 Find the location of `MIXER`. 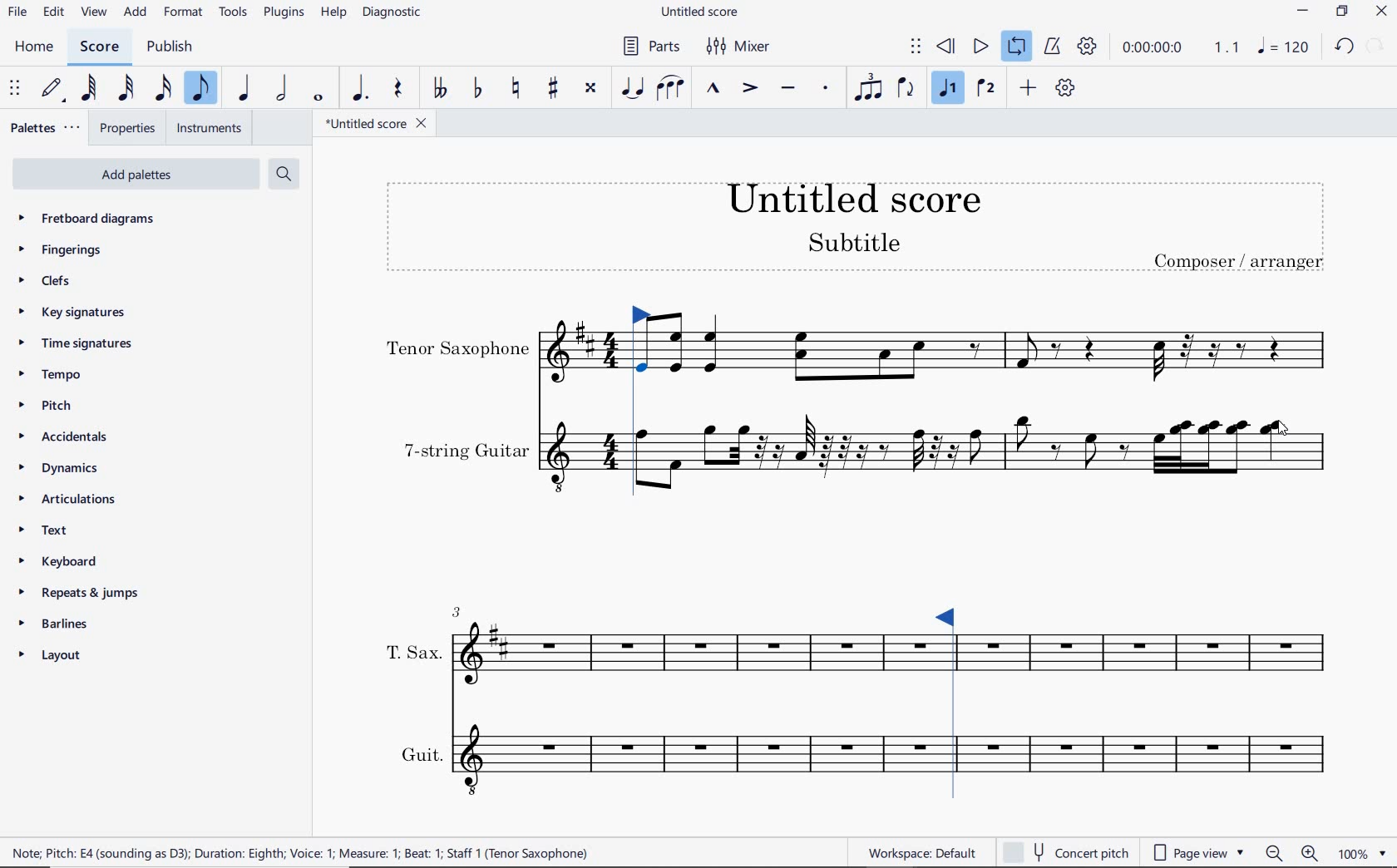

MIXER is located at coordinates (747, 47).